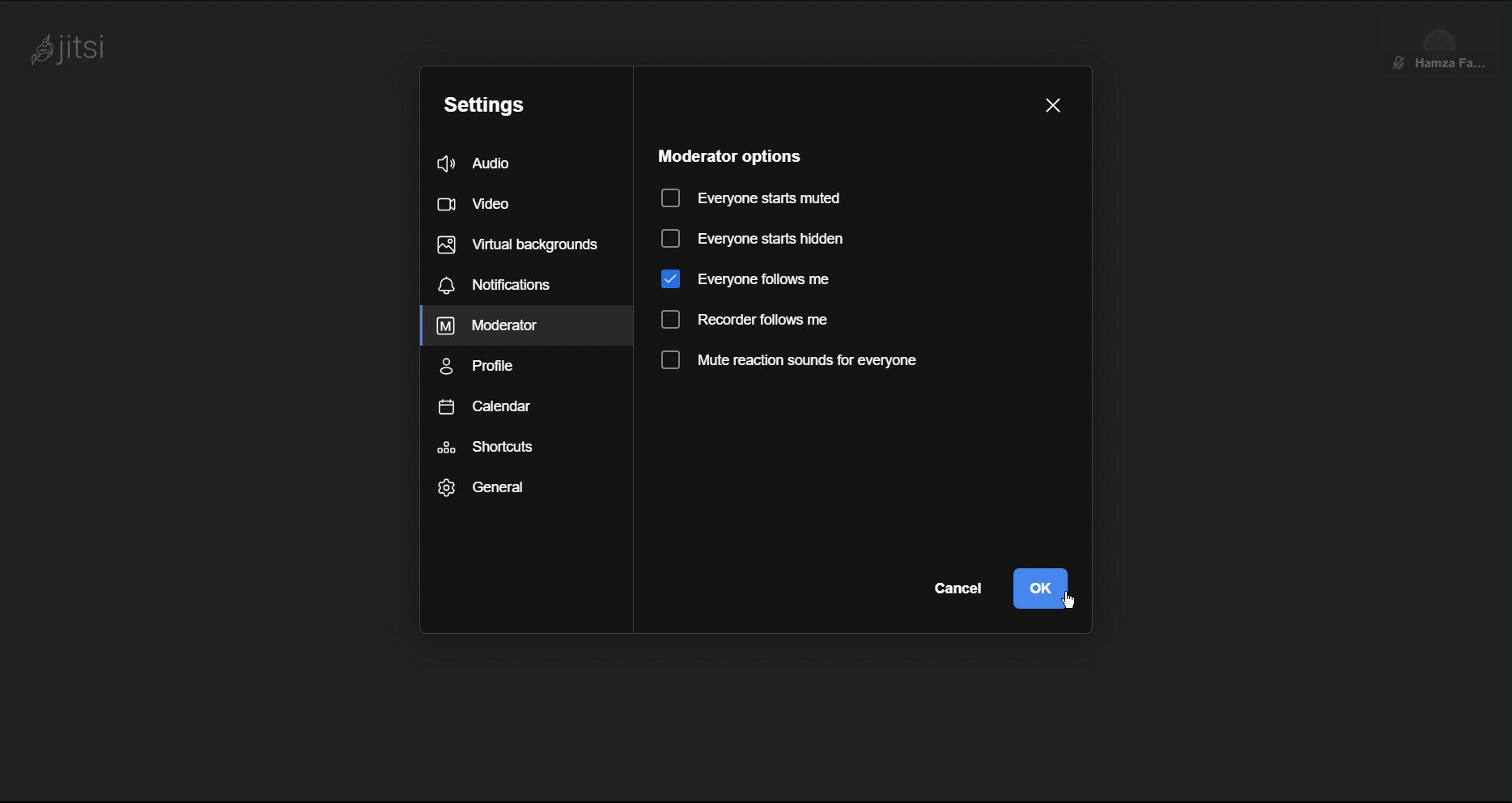 The width and height of the screenshot is (1512, 803). I want to click on Cancel, so click(953, 588).